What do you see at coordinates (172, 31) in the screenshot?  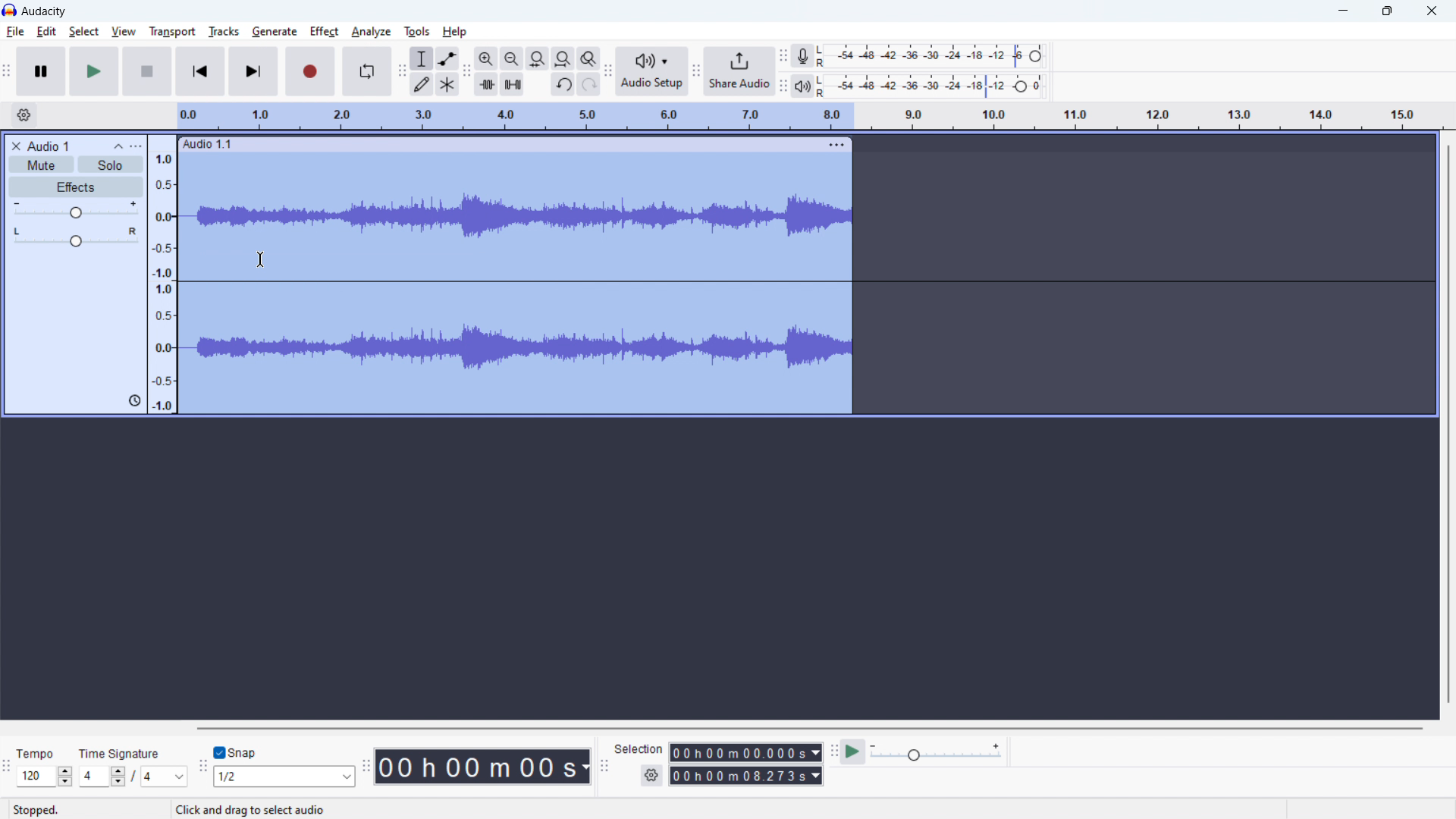 I see `transport` at bounding box center [172, 31].